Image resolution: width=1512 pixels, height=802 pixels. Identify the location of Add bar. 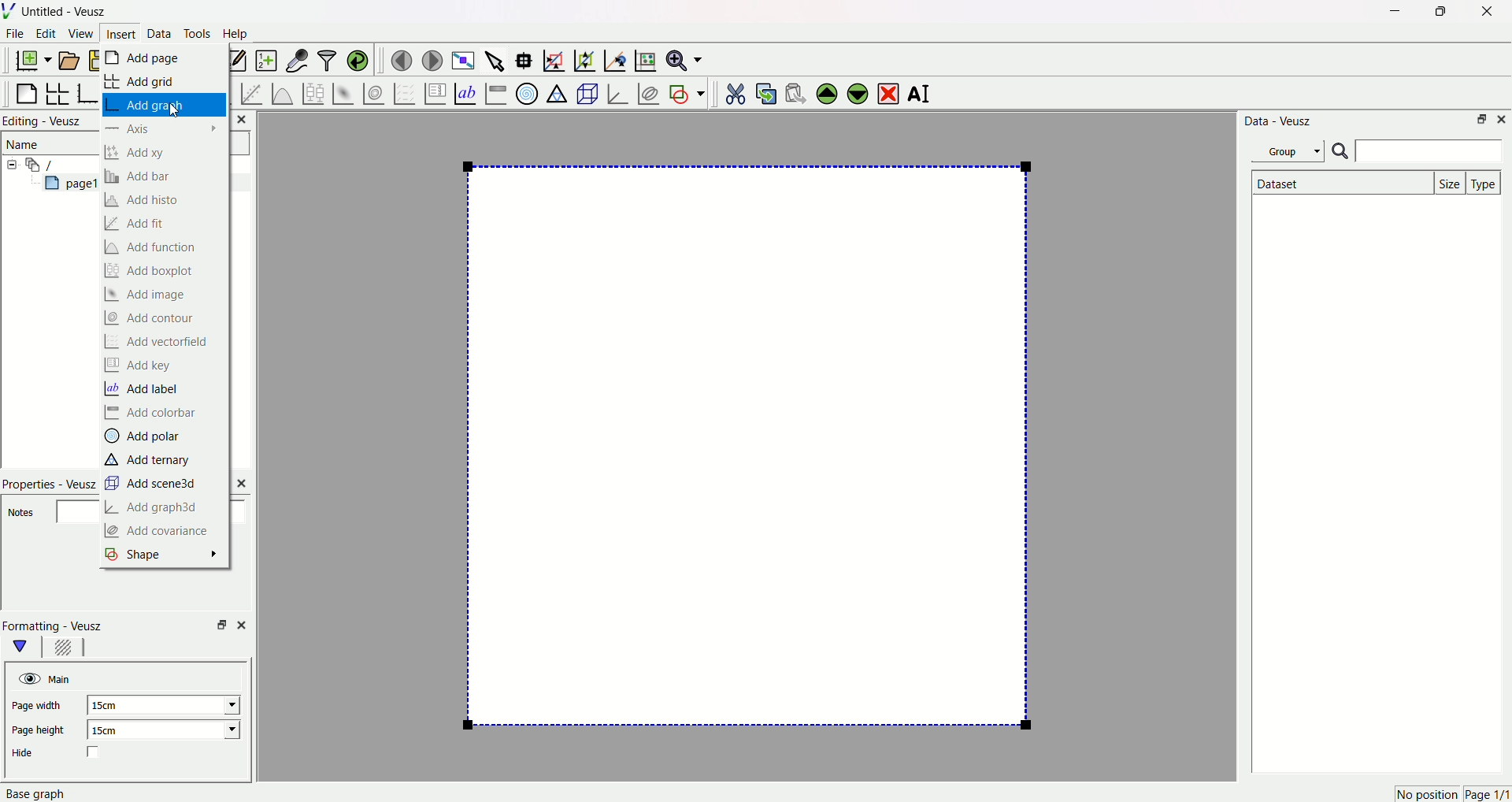
(146, 176).